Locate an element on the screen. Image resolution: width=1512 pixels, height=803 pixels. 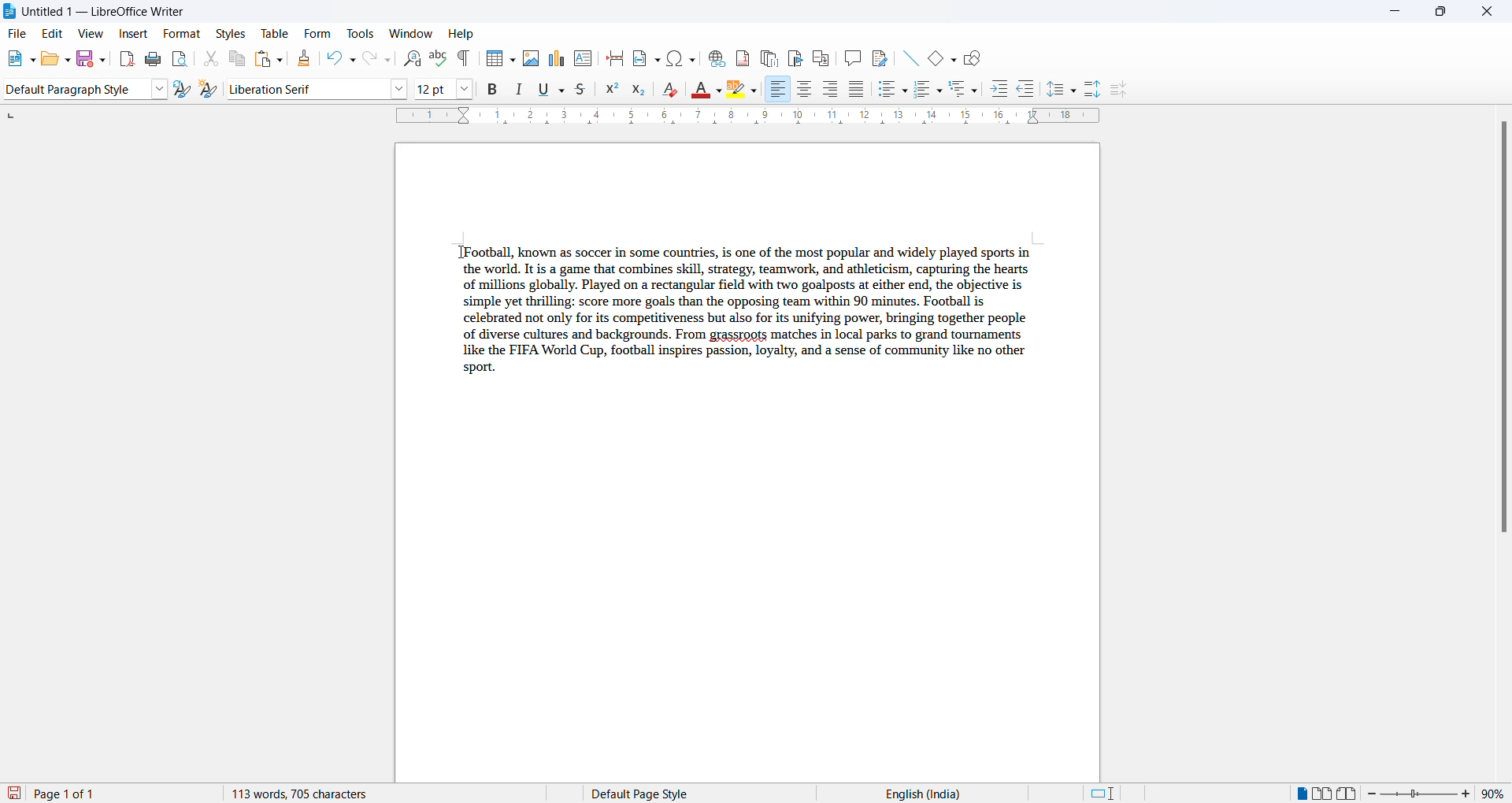
file title is located at coordinates (102, 13).